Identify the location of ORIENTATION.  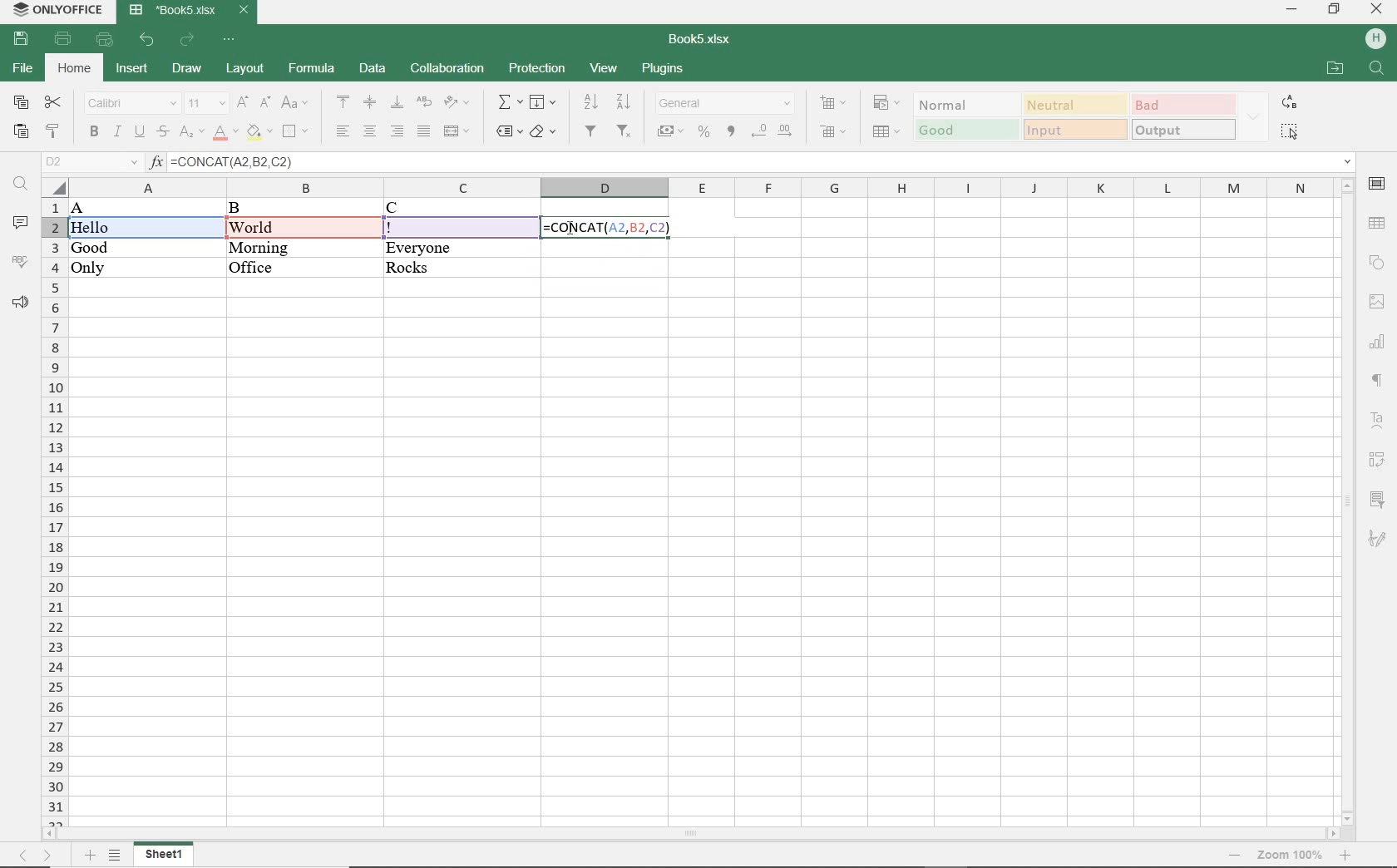
(456, 103).